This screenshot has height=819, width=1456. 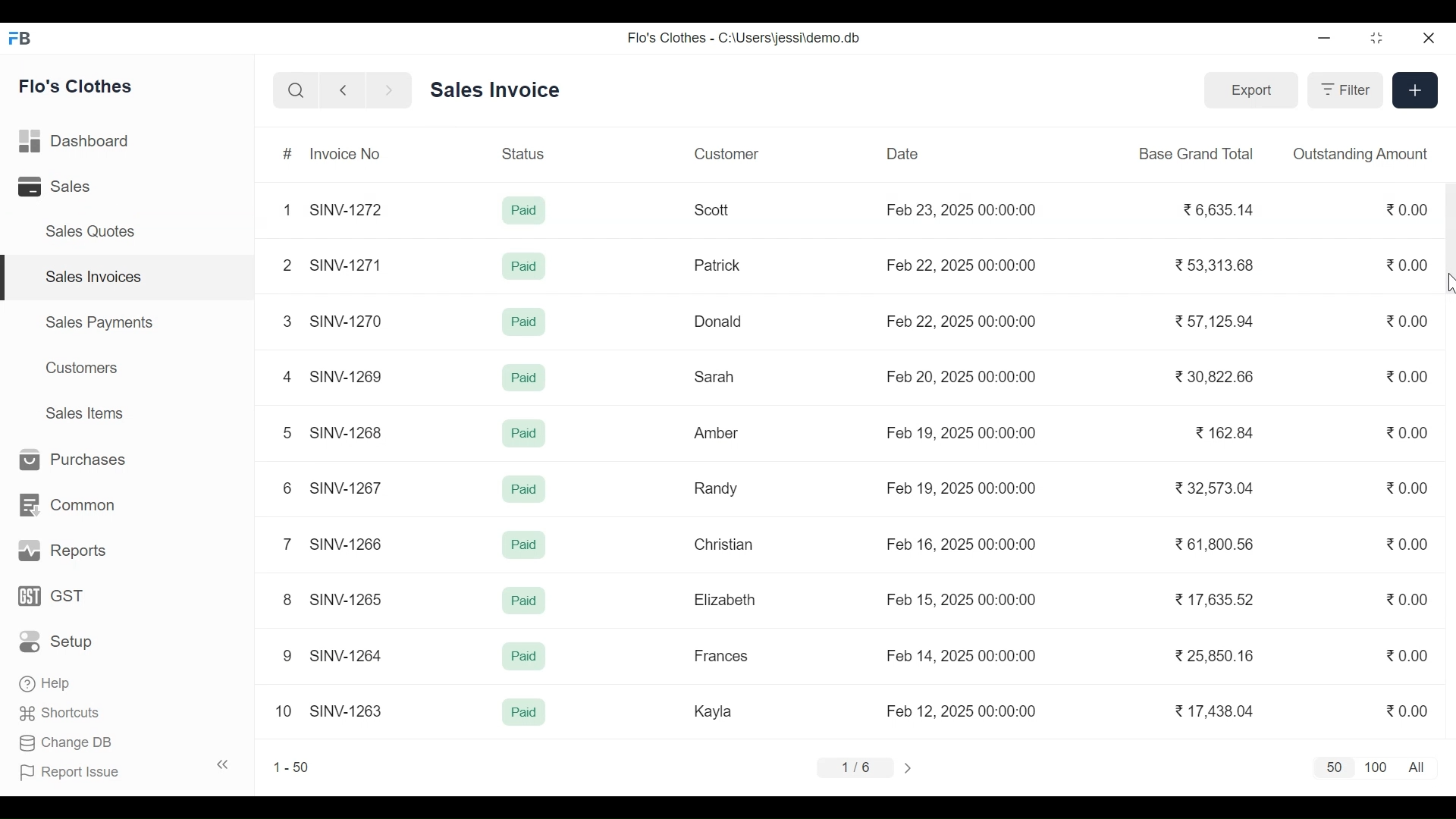 I want to click on Invoice No, so click(x=344, y=153).